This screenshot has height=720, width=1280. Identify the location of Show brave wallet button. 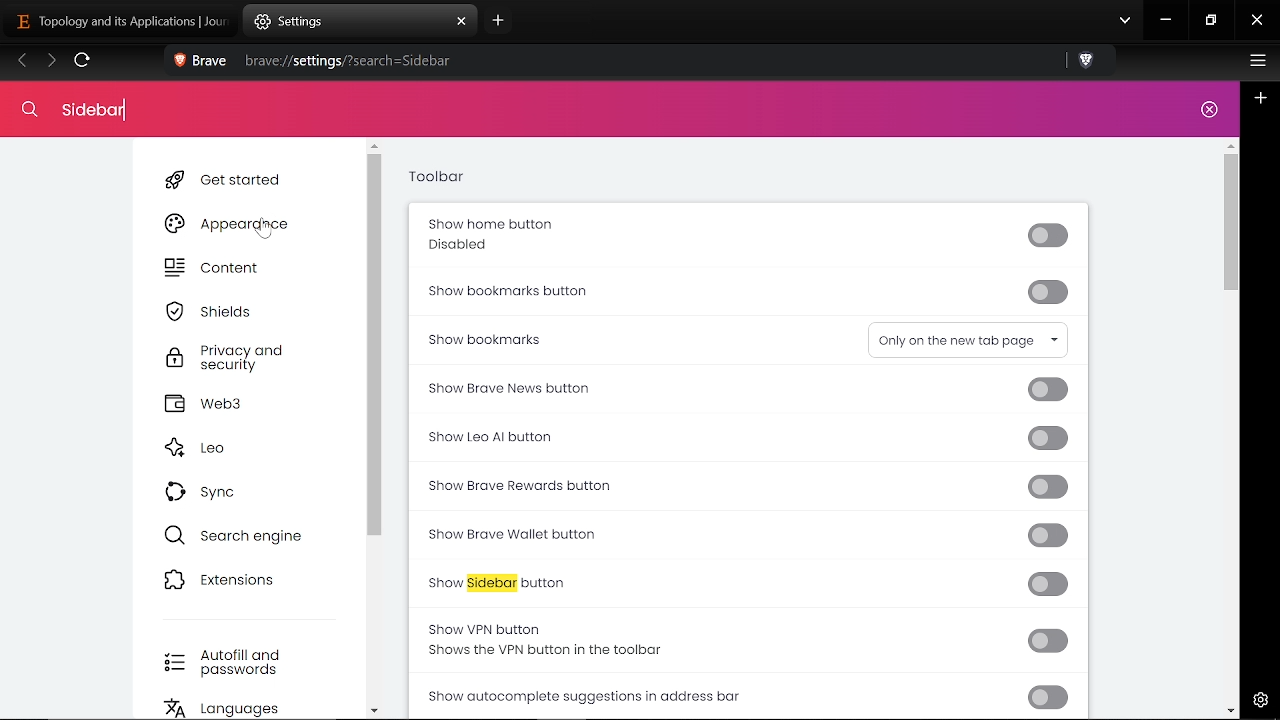
(747, 536).